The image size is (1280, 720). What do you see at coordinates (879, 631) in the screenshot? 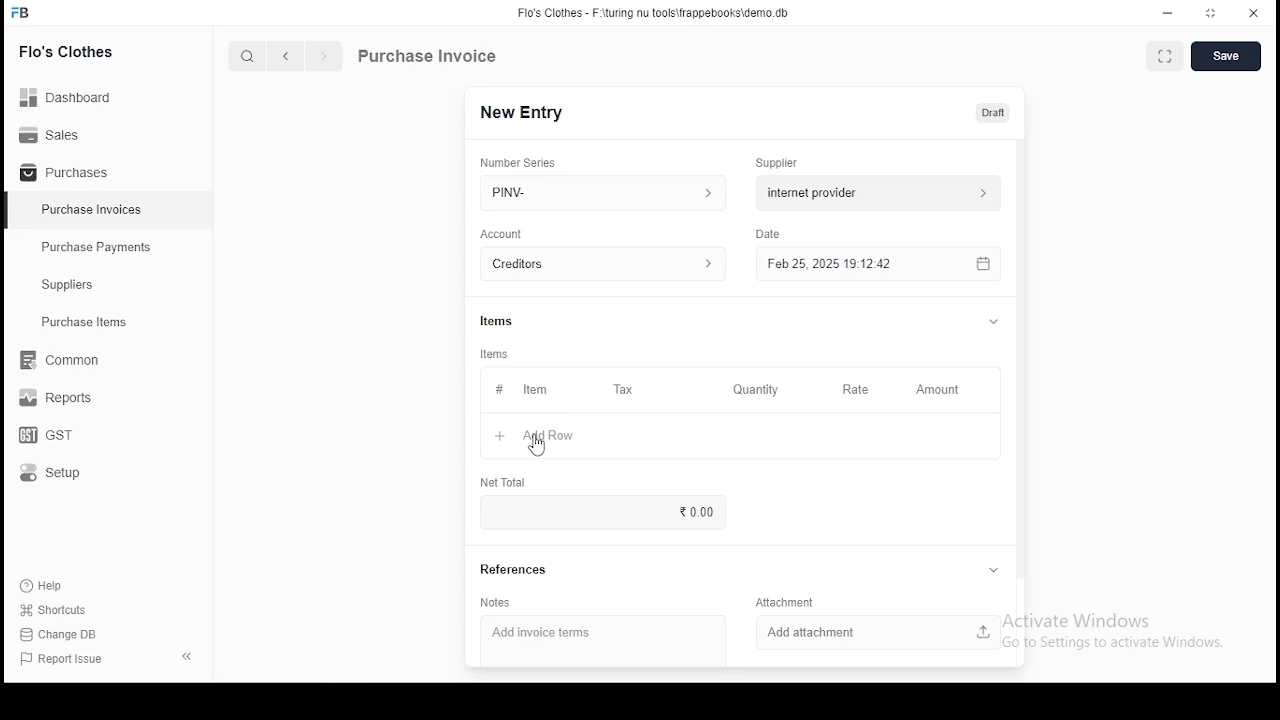
I see `add attachment` at bounding box center [879, 631].